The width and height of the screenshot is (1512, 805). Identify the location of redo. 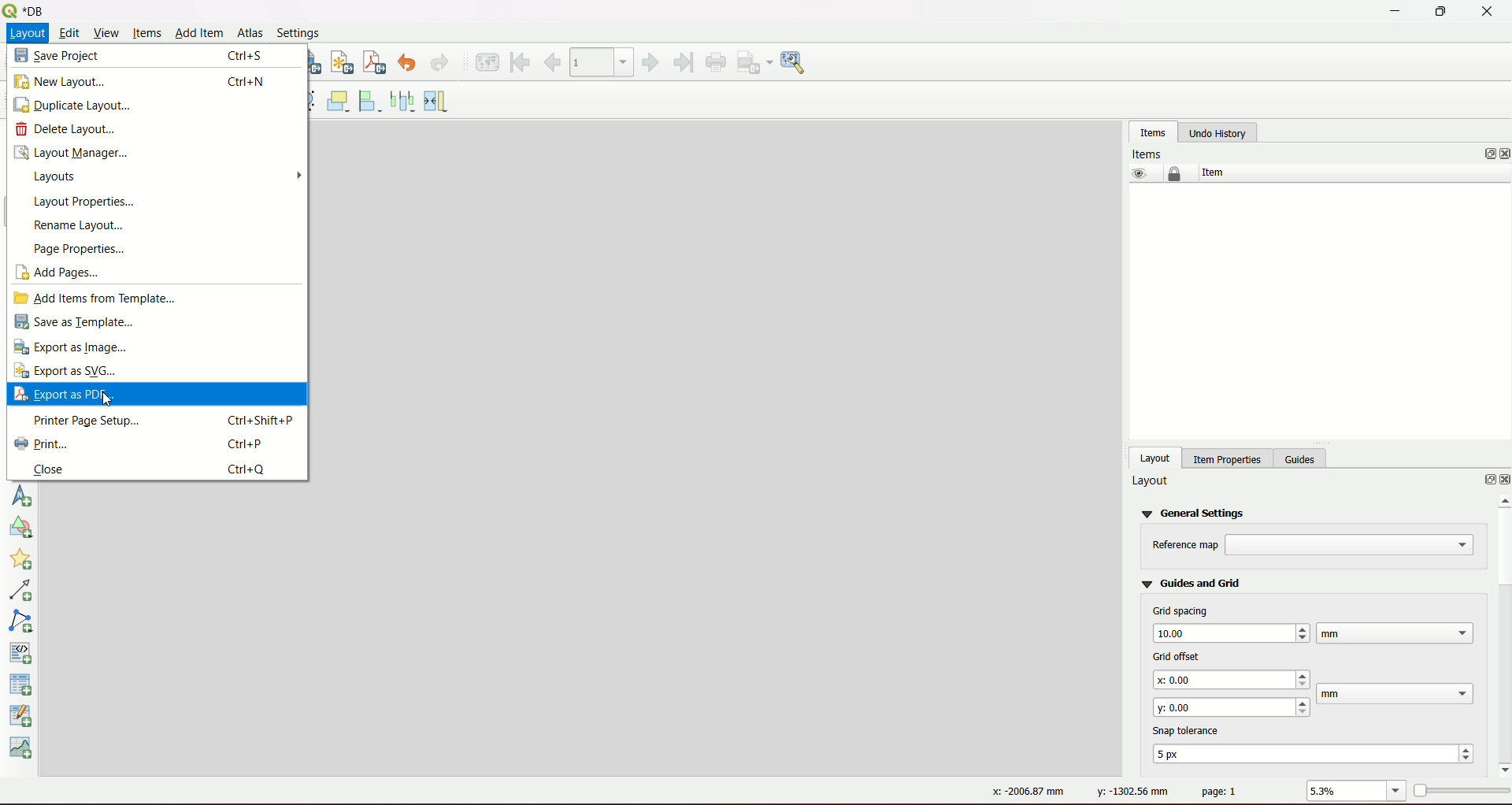
(440, 64).